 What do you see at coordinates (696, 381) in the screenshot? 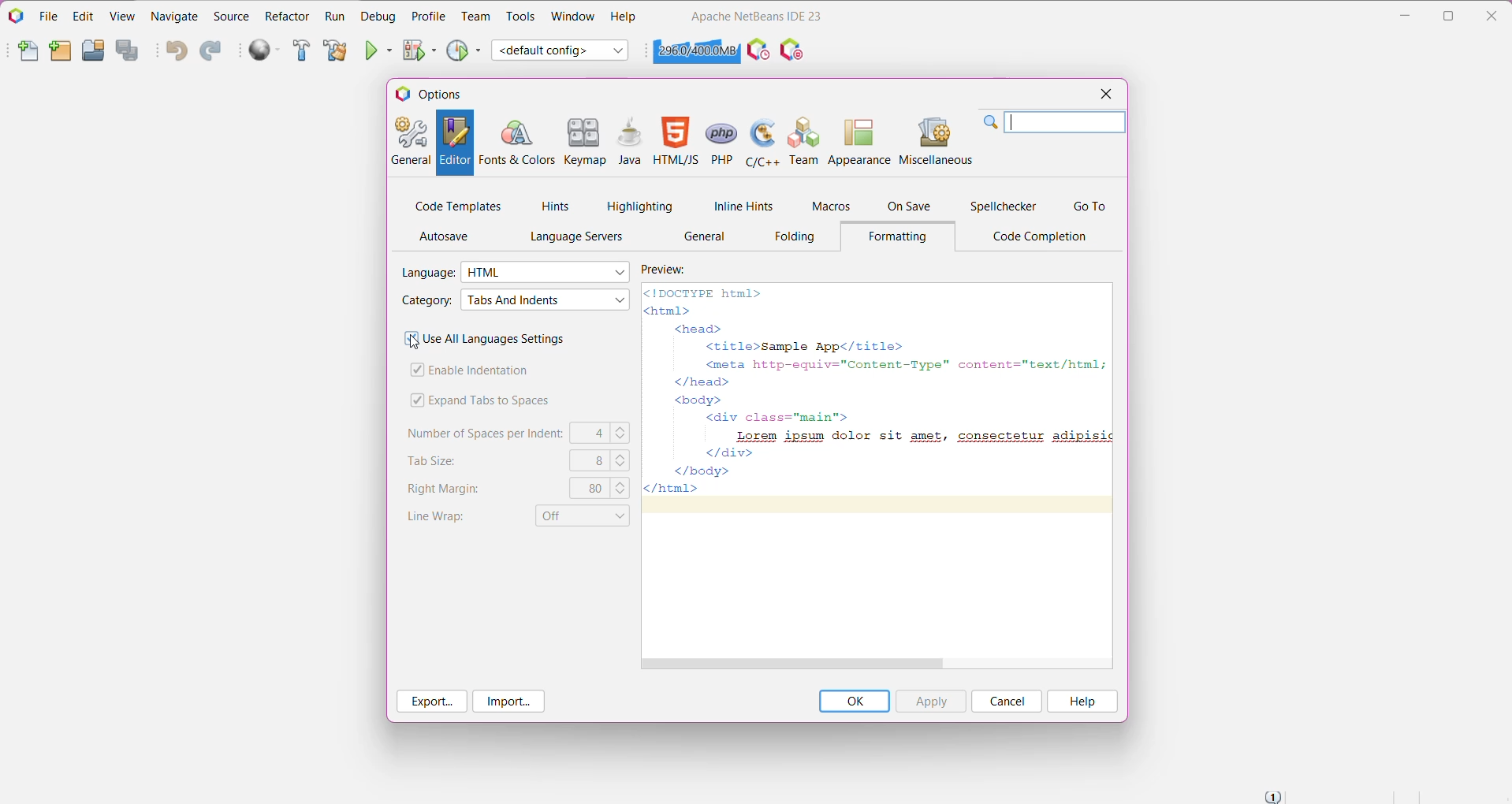
I see `</head>` at bounding box center [696, 381].